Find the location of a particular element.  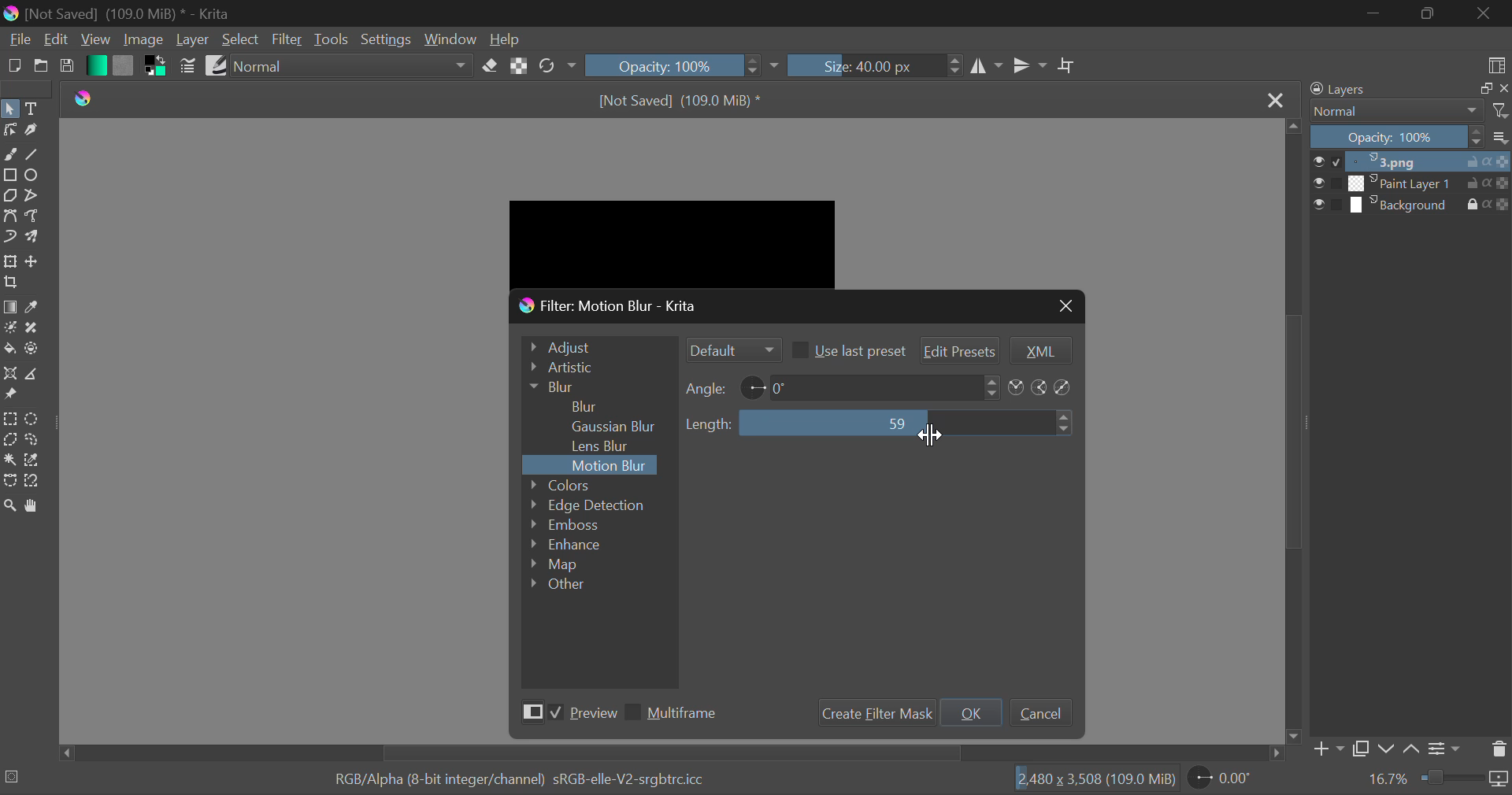

Blur is located at coordinates (586, 405).